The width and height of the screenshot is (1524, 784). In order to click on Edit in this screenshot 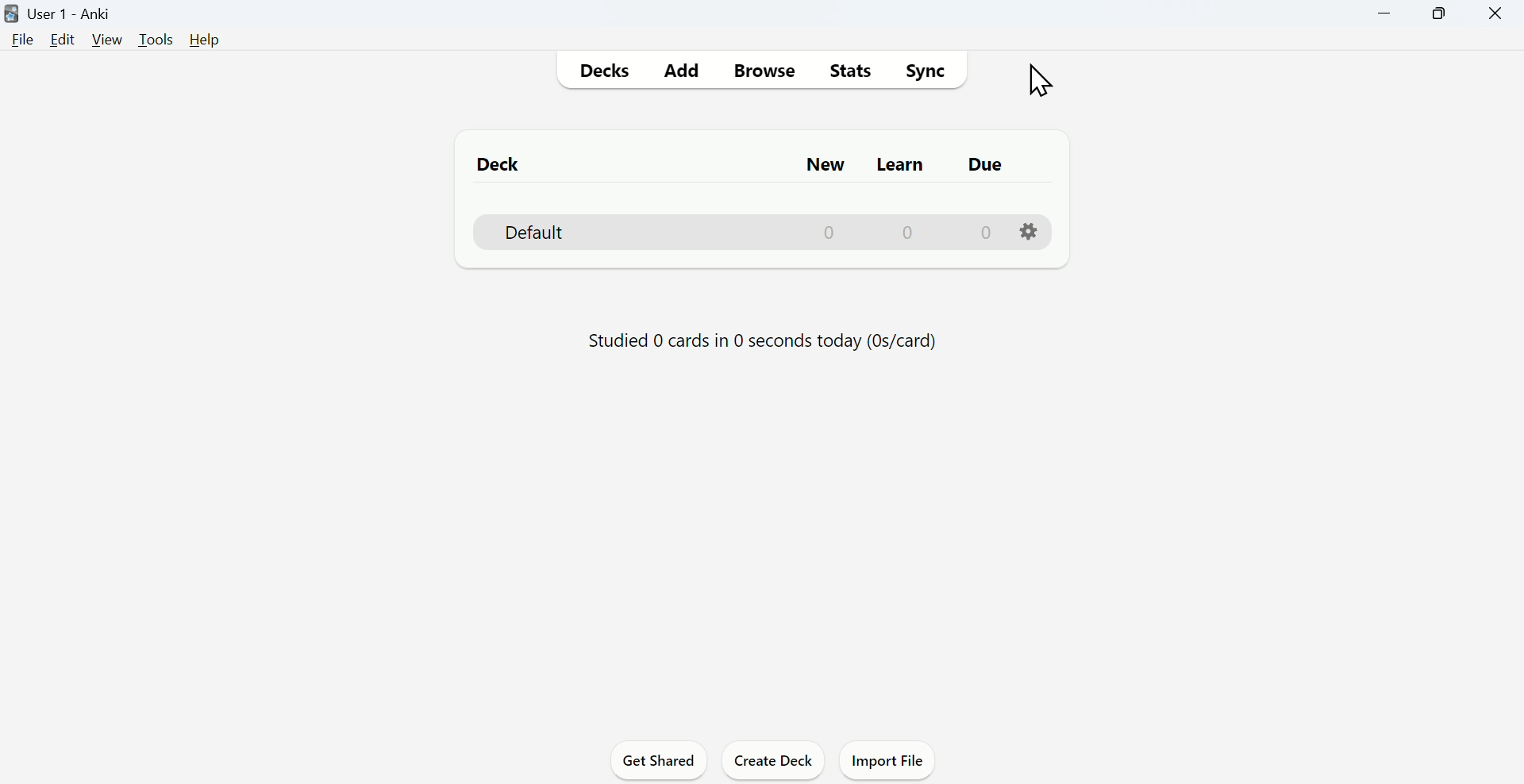, I will do `click(61, 42)`.